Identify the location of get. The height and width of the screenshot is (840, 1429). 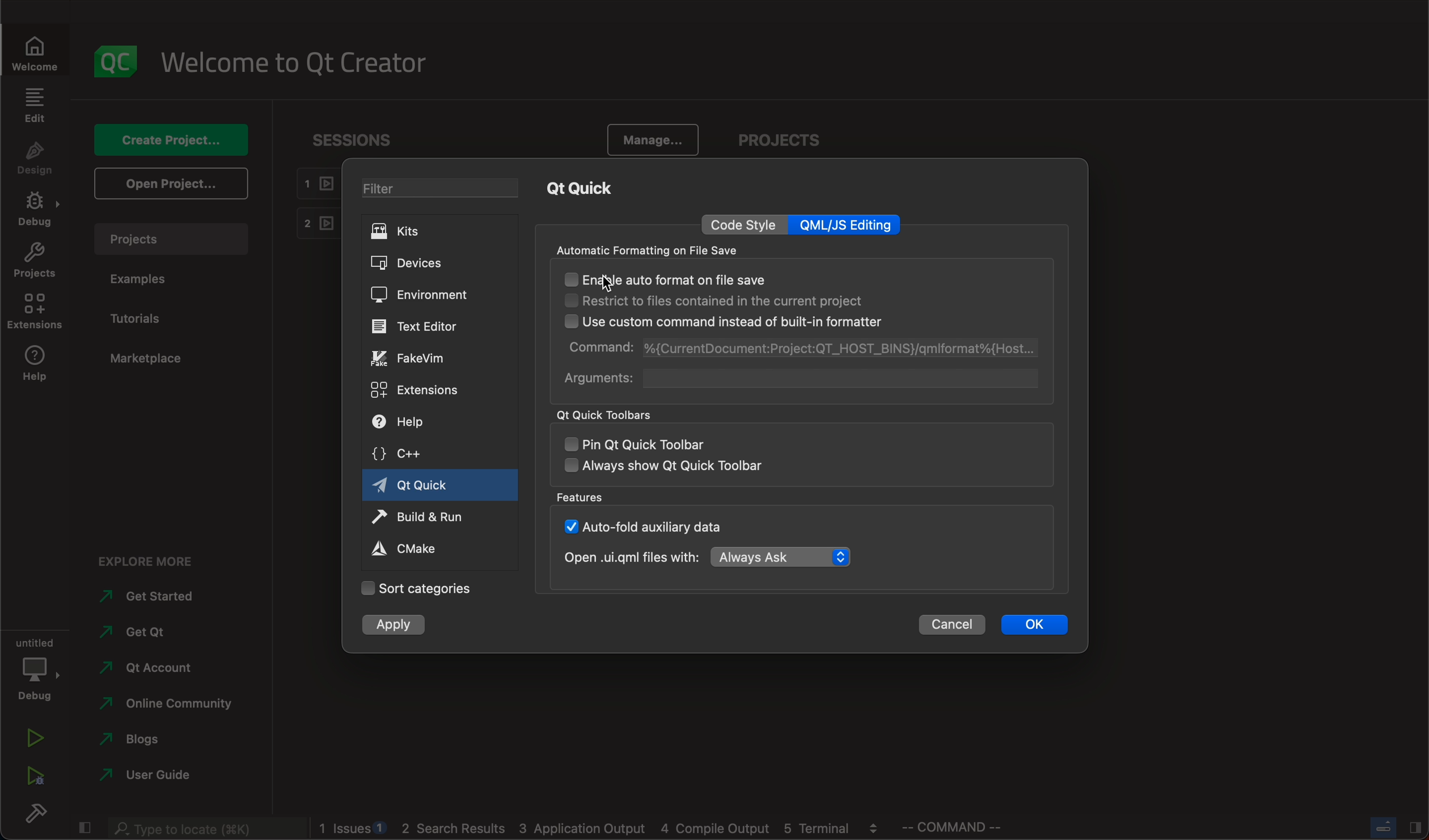
(147, 631).